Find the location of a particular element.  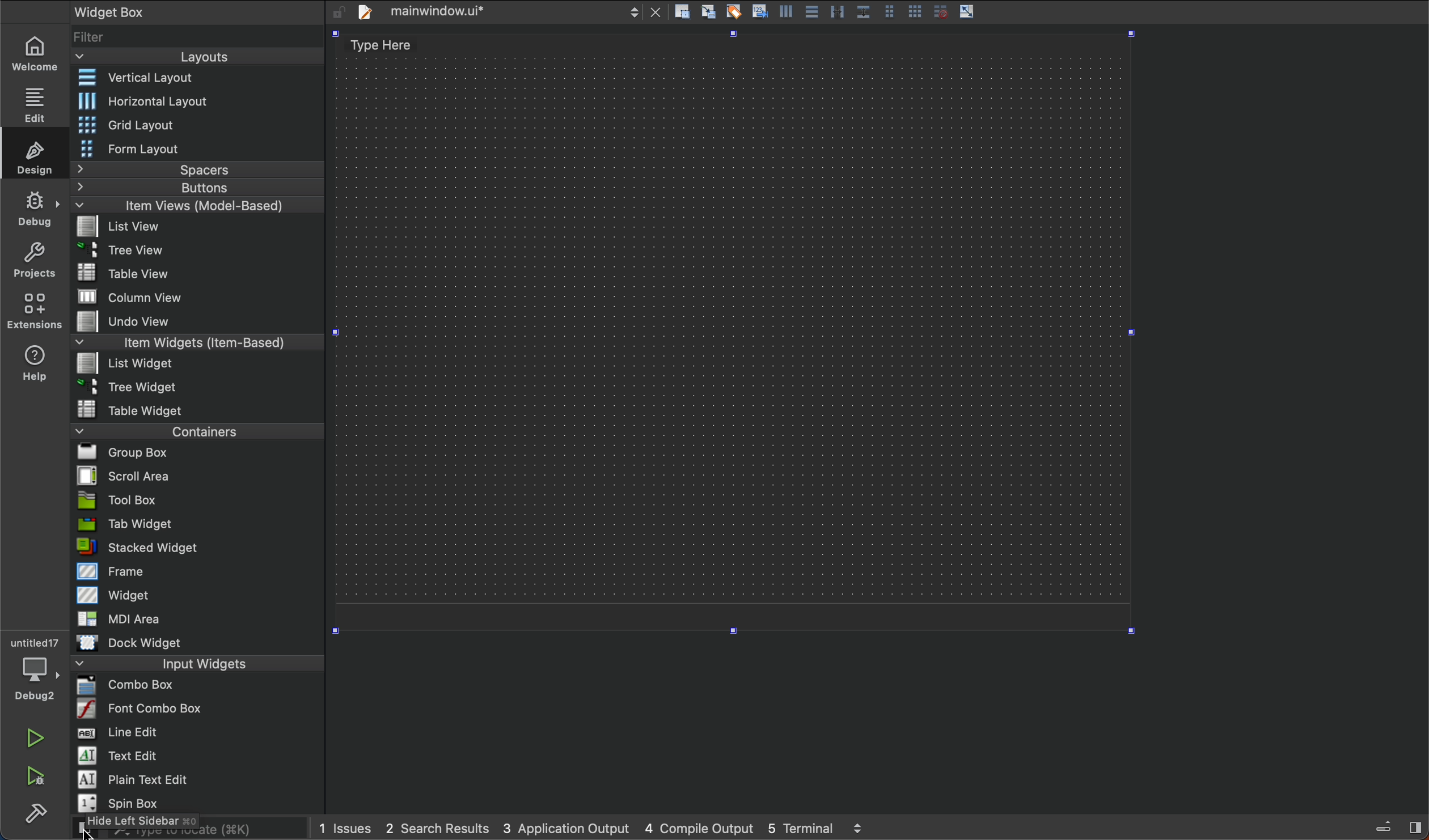

Horizontal Layout is located at coordinates (169, 100).